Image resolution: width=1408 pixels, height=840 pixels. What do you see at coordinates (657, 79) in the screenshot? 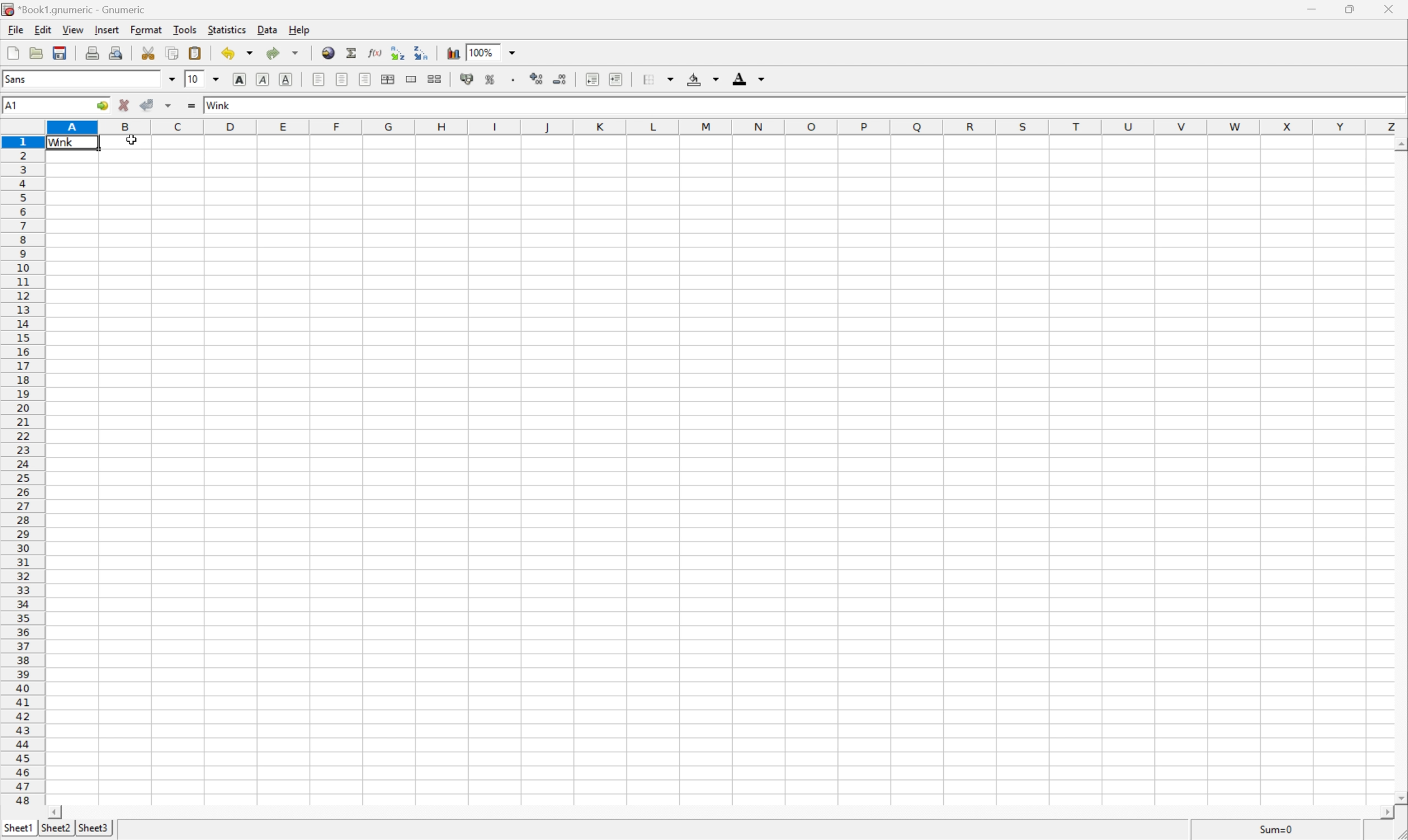
I see `borders` at bounding box center [657, 79].